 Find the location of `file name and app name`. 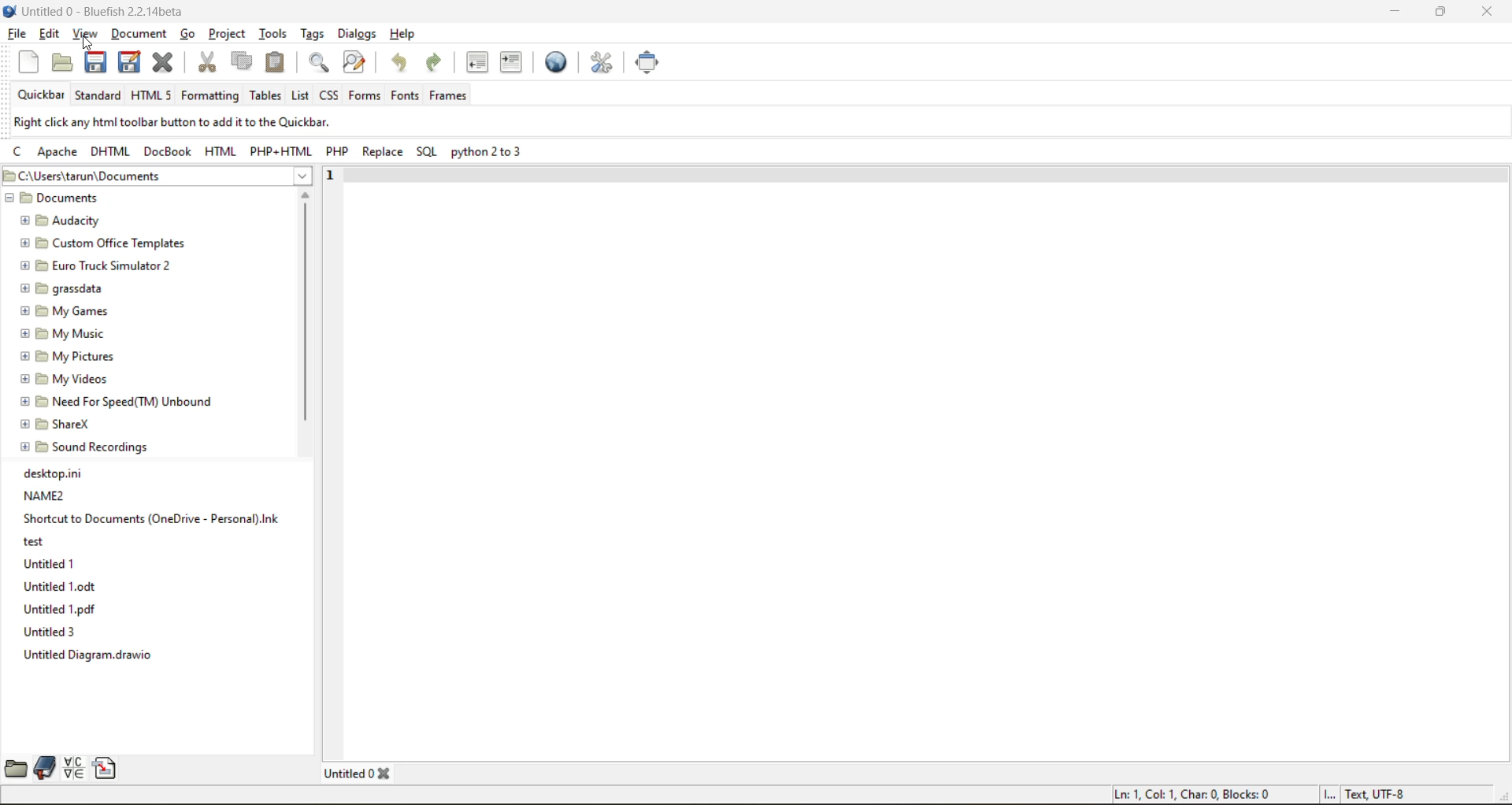

file name and app name is located at coordinates (98, 11).